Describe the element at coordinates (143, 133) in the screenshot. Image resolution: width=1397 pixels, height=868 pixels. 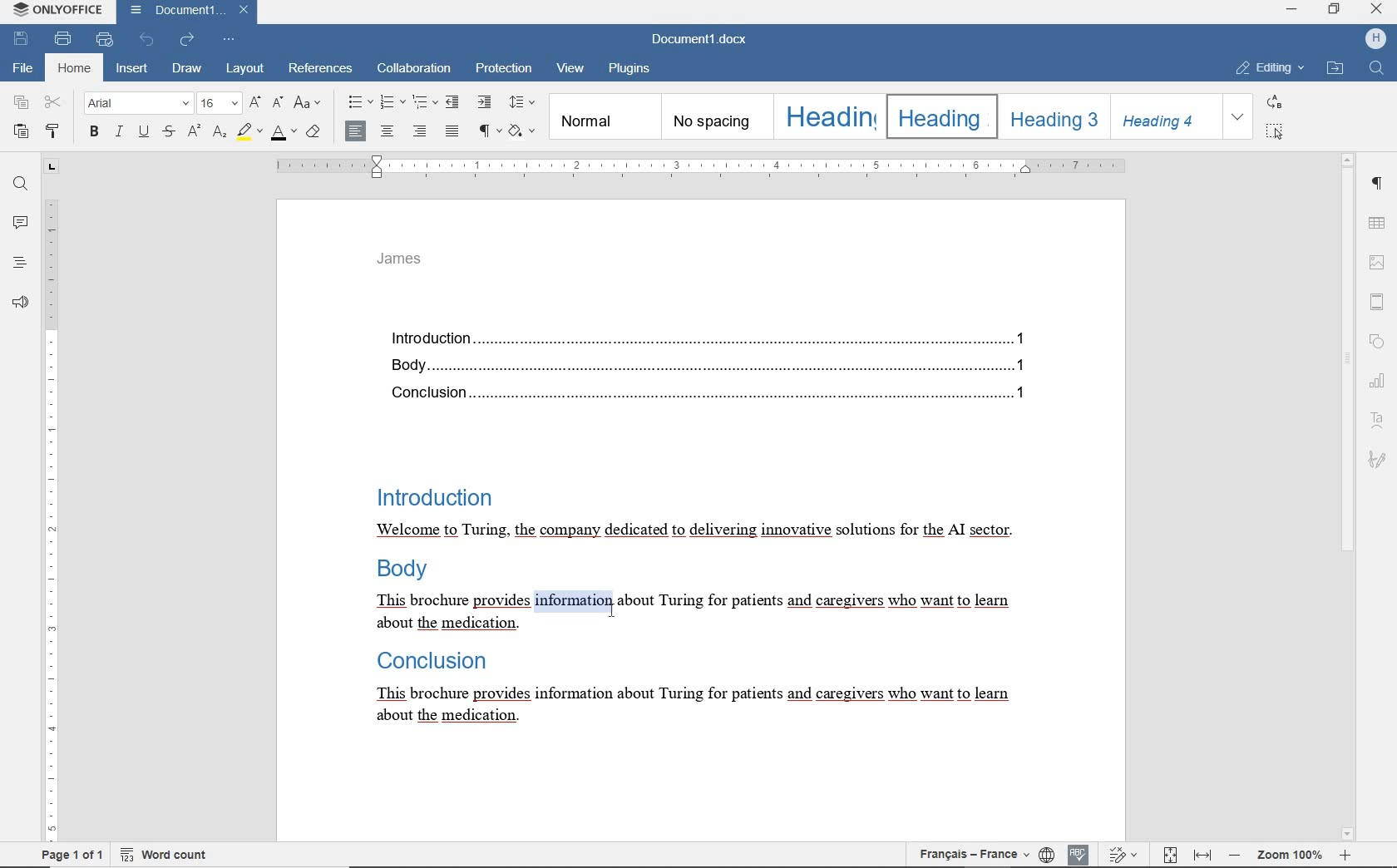
I see `UNDERLINE` at that location.